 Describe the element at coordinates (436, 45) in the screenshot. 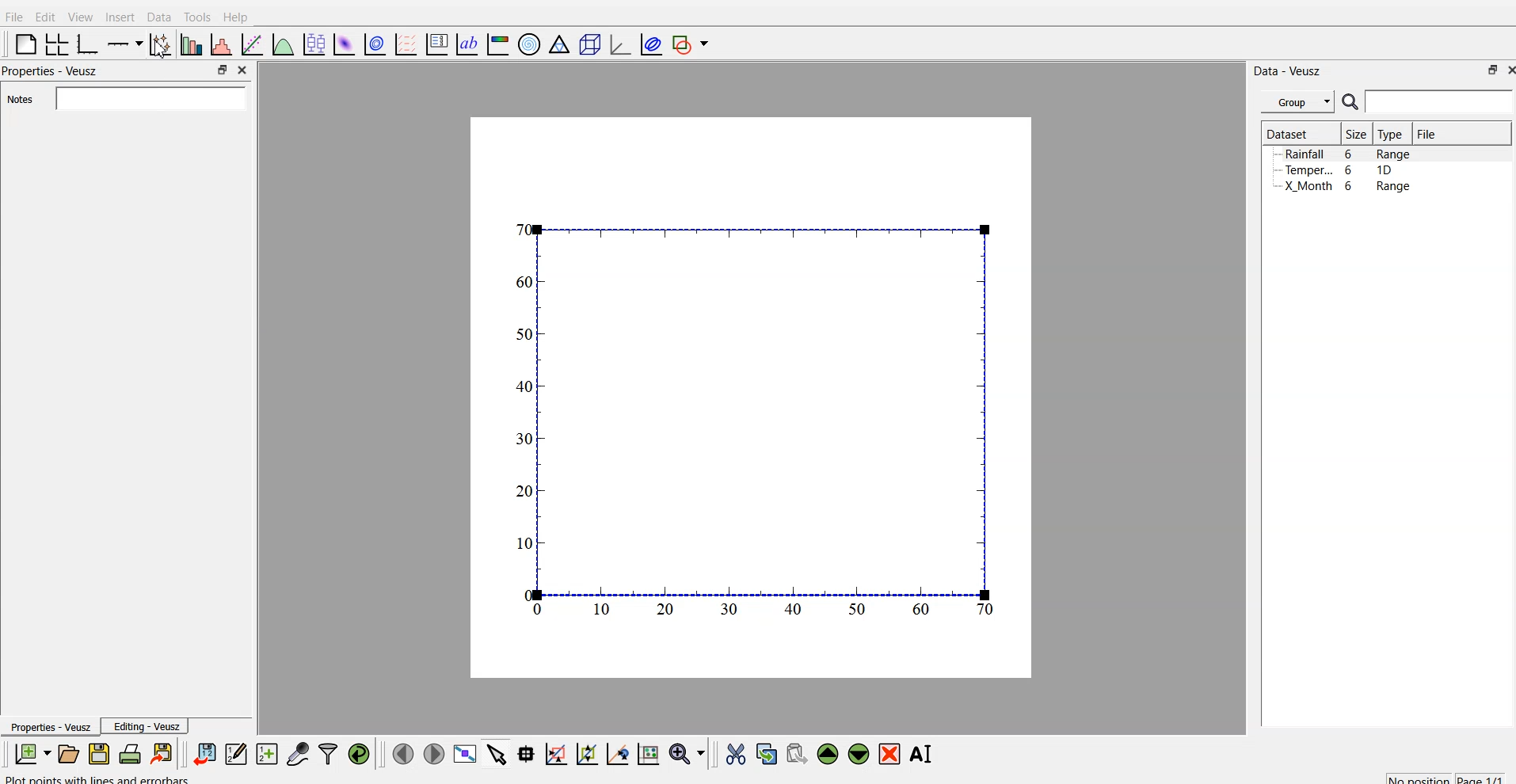

I see `plot key` at that location.